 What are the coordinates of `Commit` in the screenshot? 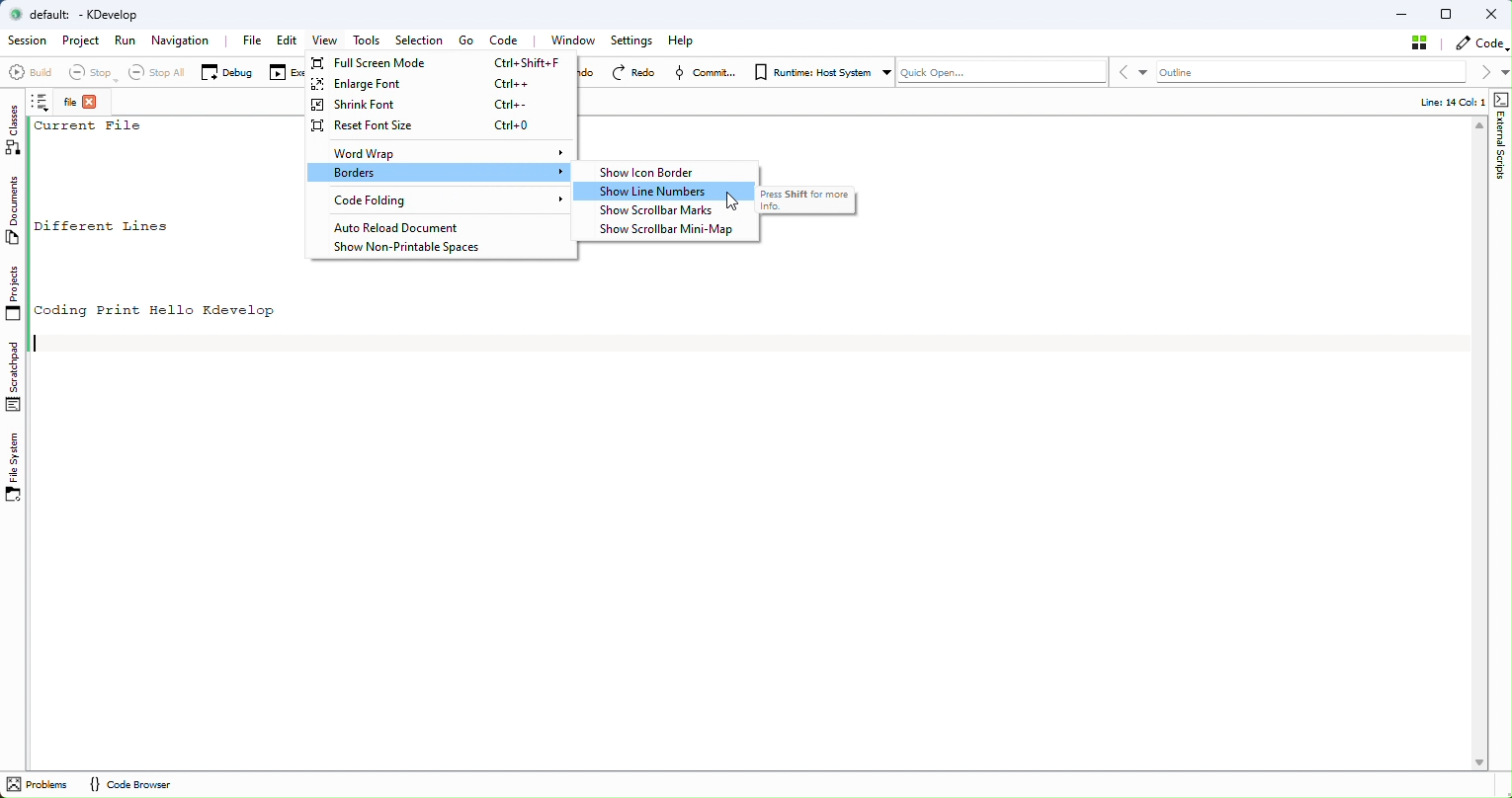 It's located at (708, 73).